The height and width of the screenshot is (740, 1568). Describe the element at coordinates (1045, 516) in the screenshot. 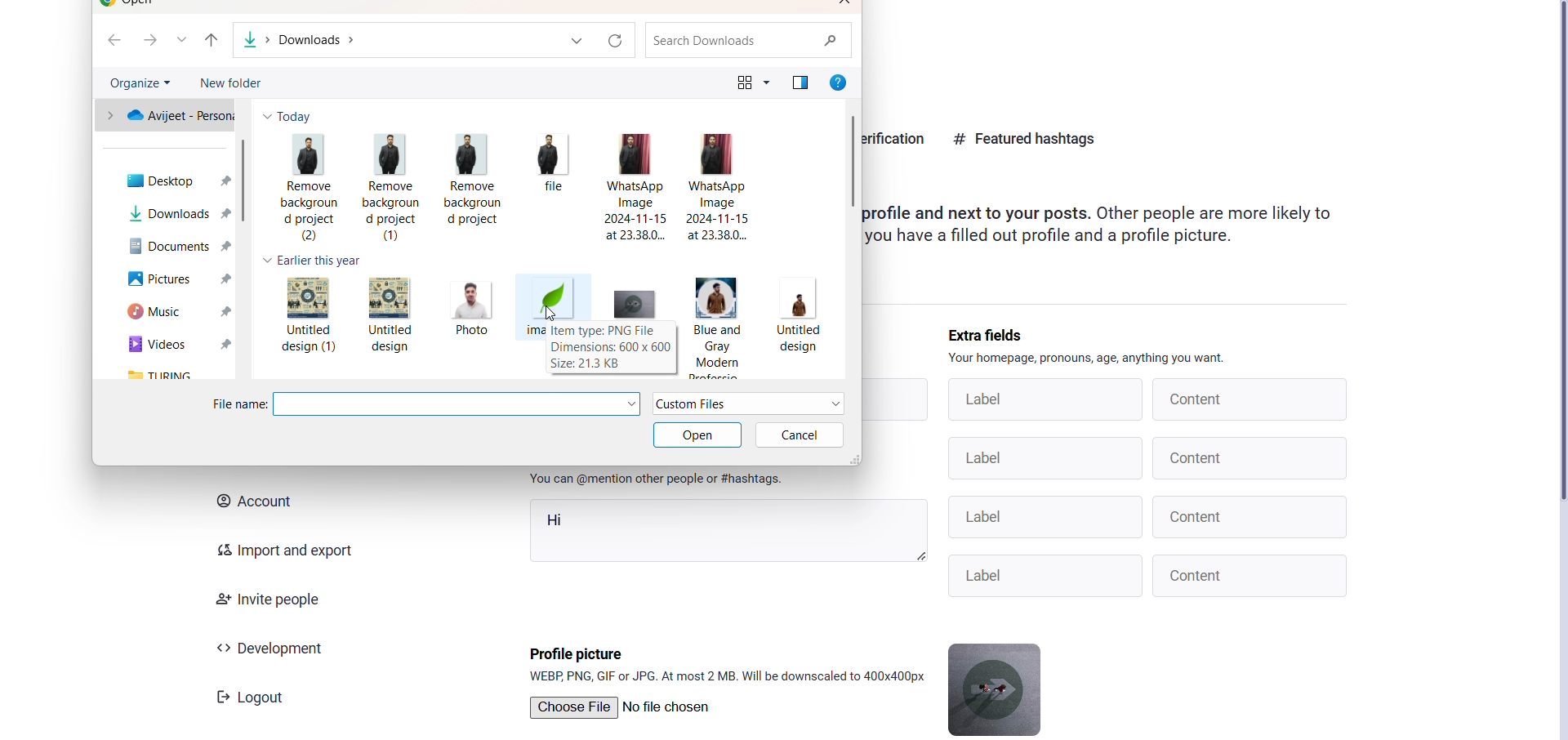

I see `Label` at that location.